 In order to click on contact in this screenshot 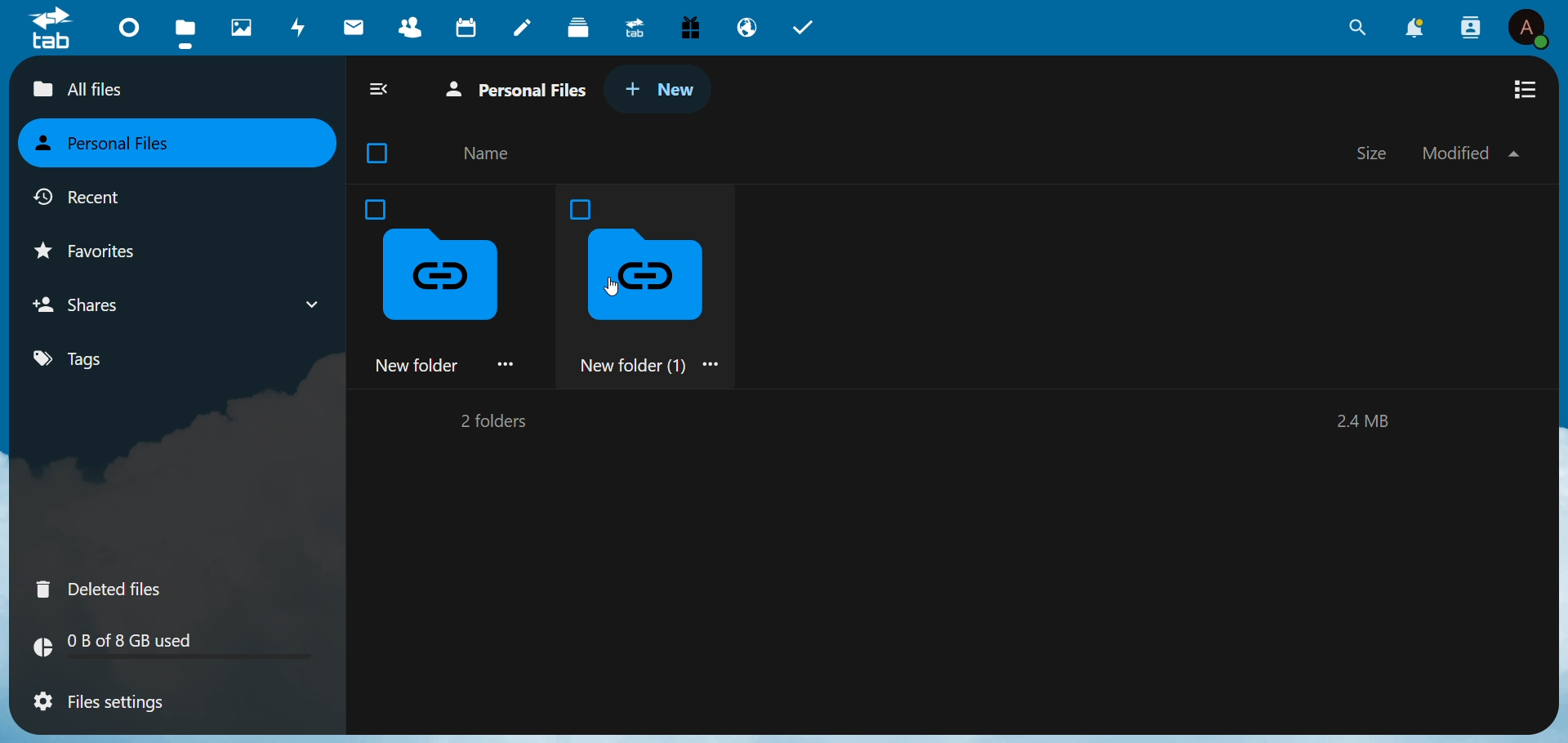, I will do `click(408, 25)`.